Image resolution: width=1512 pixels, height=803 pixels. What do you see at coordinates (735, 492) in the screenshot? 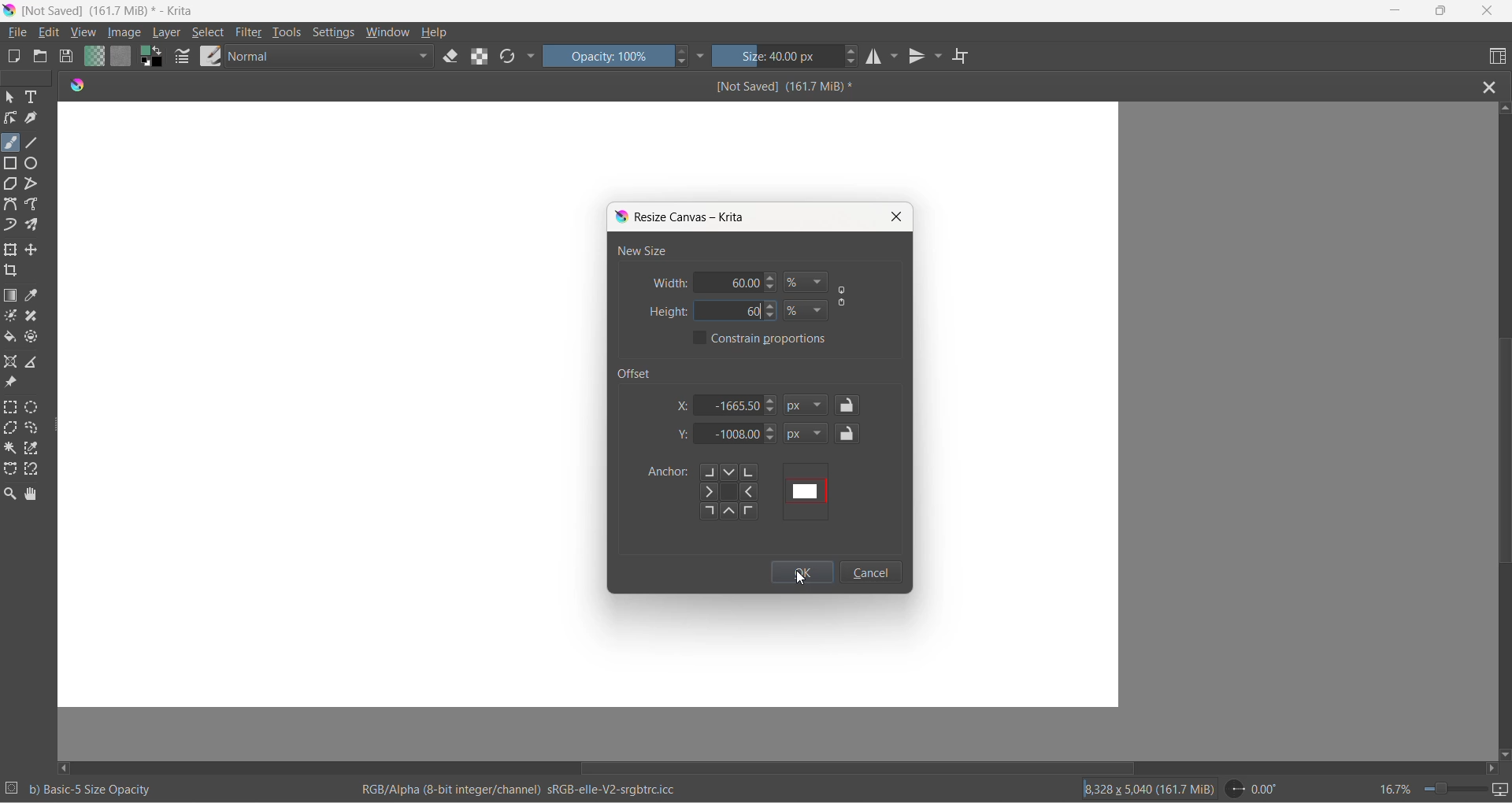
I see `offset using directions` at bounding box center [735, 492].